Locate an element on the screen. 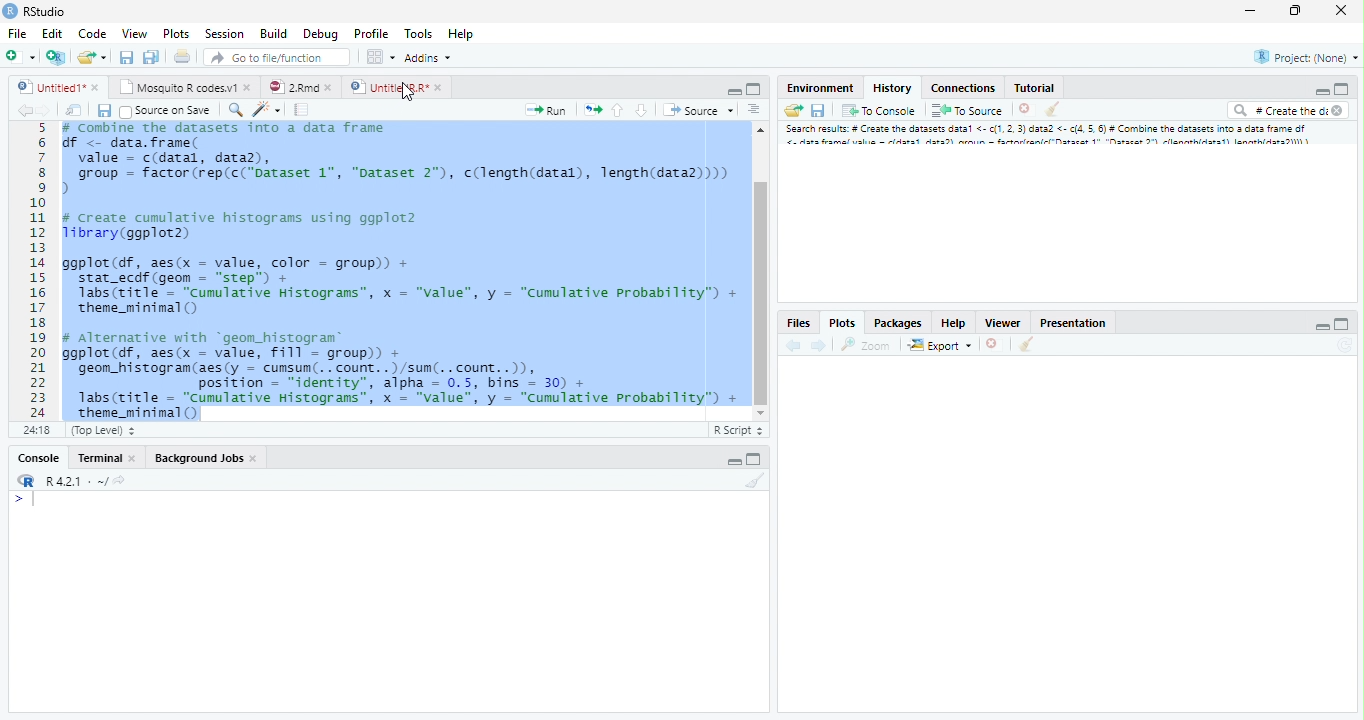 This screenshot has width=1364, height=720. Save all is located at coordinates (151, 57).